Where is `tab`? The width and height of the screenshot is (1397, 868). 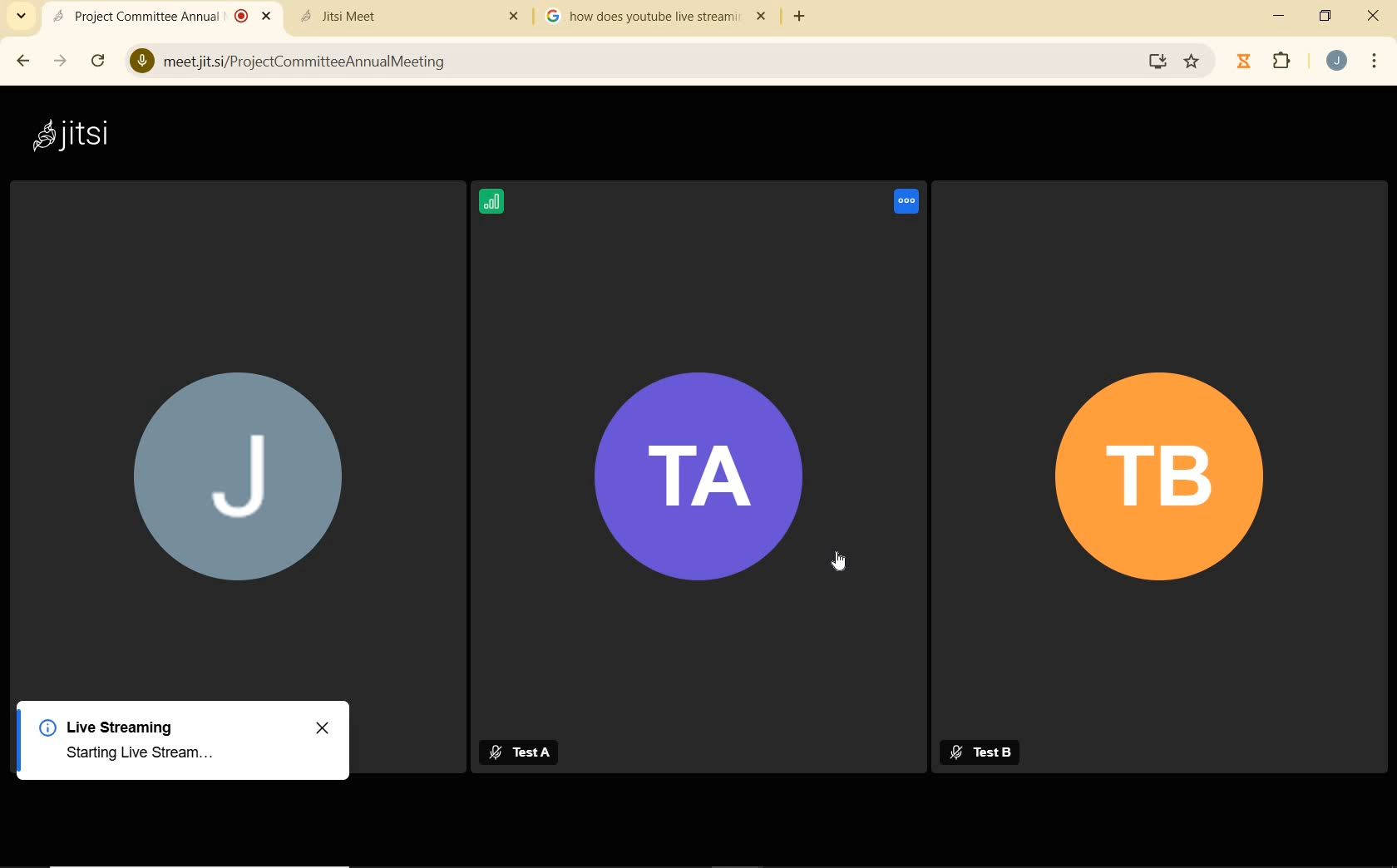 tab is located at coordinates (639, 17).